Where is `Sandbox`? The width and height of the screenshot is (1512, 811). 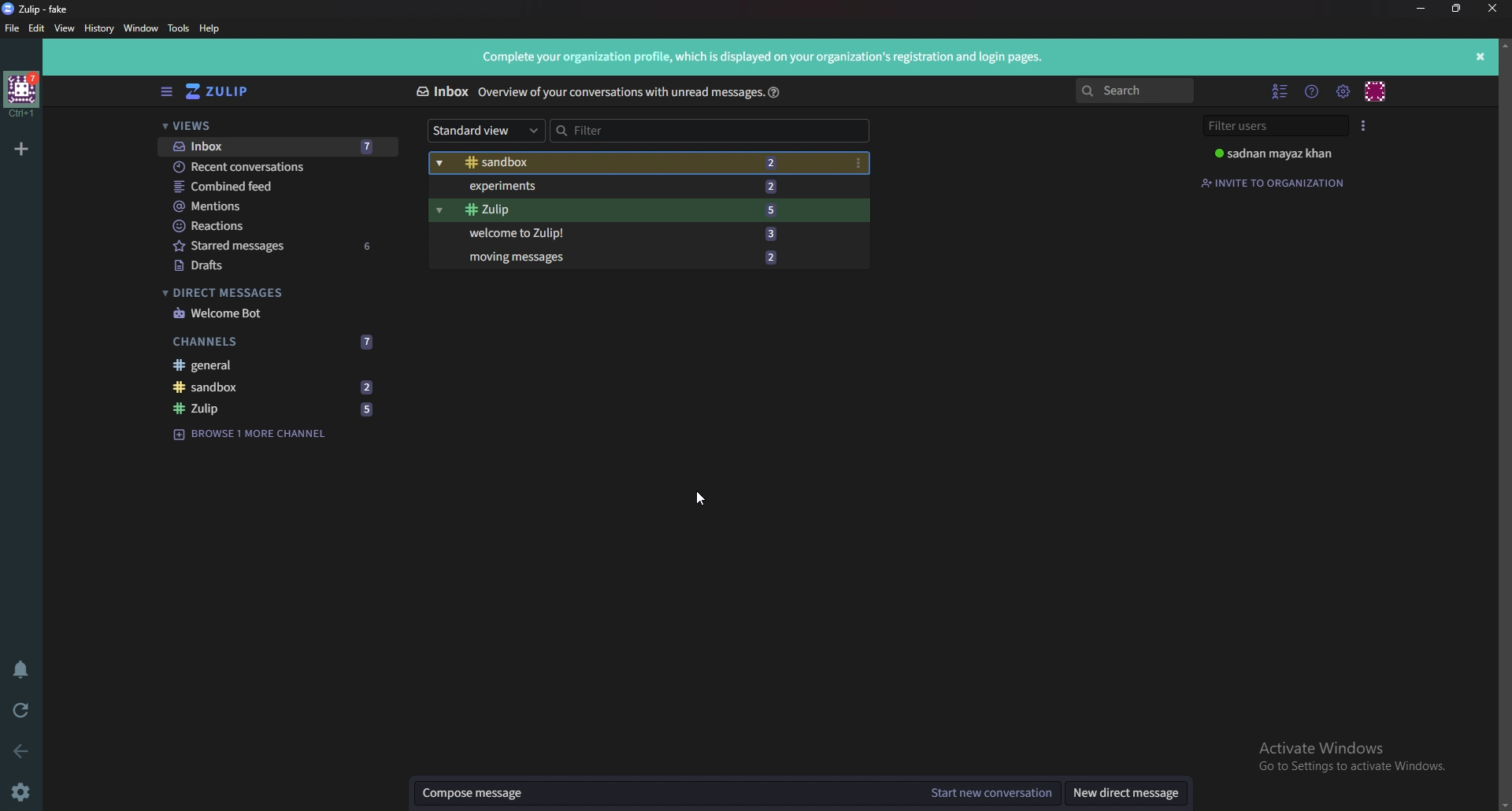 Sandbox is located at coordinates (276, 387).